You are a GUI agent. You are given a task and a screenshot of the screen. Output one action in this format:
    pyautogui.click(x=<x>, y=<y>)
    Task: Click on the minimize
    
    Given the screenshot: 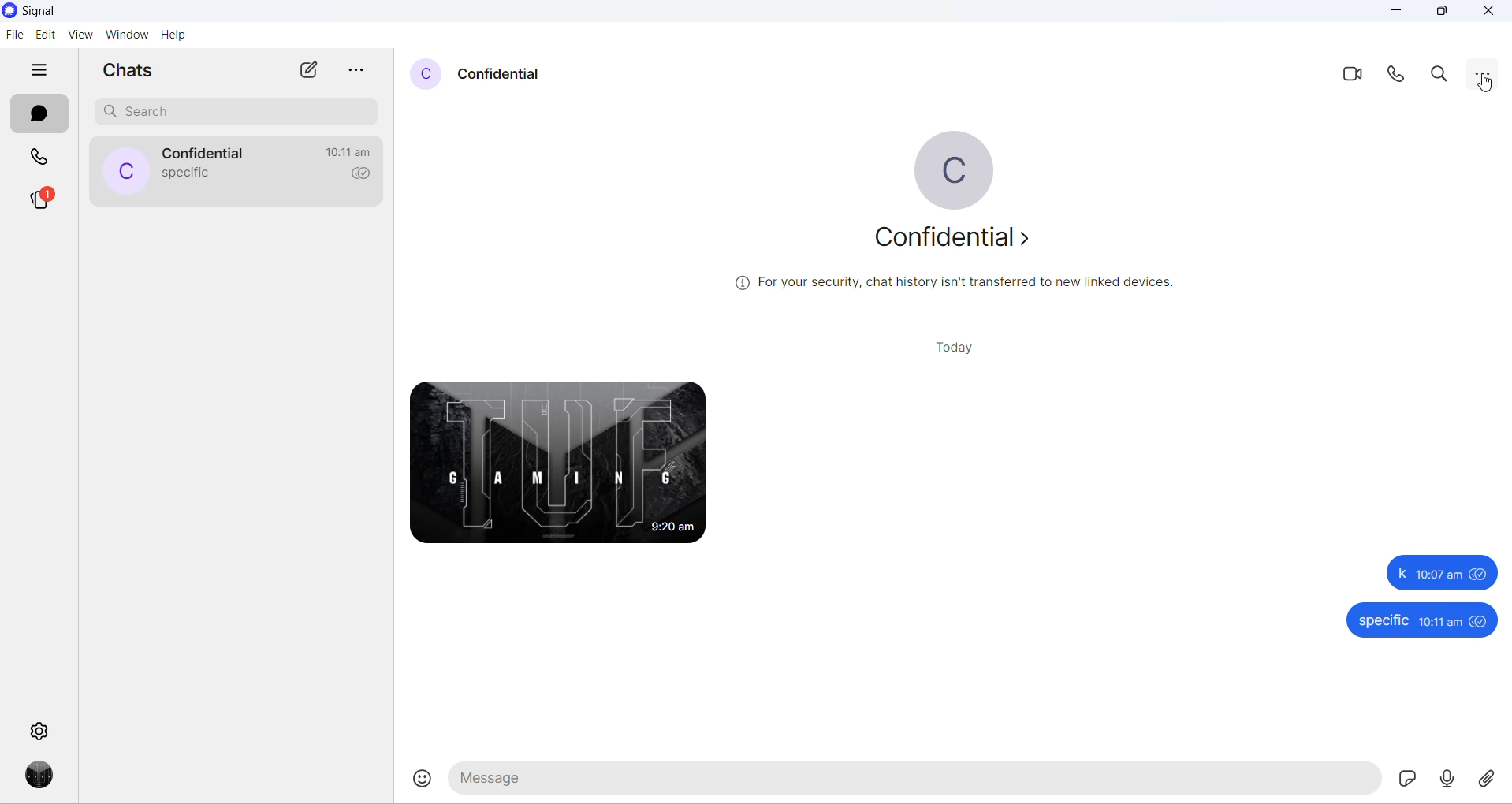 What is the action you would take?
    pyautogui.click(x=1397, y=13)
    